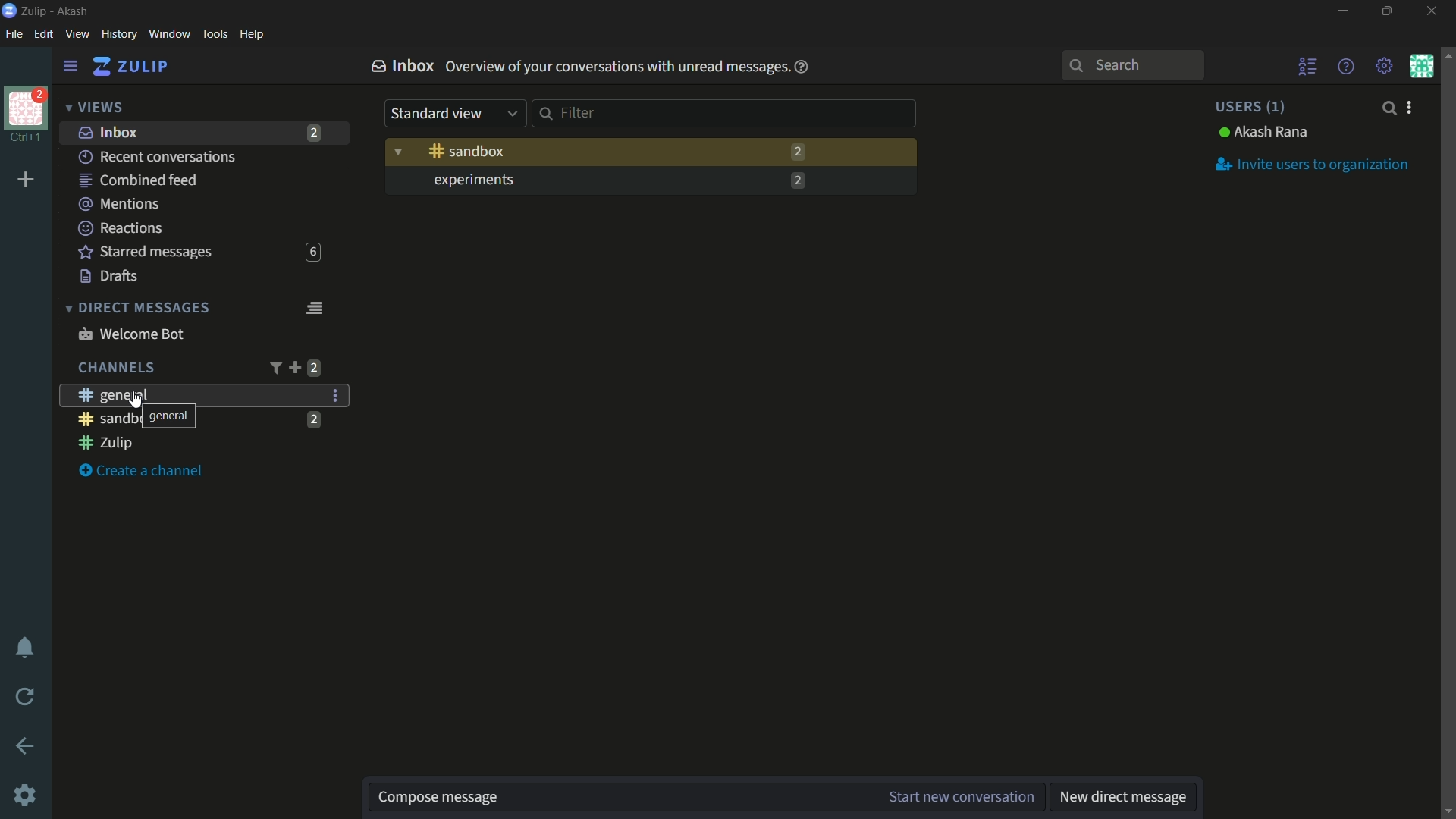  I want to click on personal menu, so click(1421, 66).